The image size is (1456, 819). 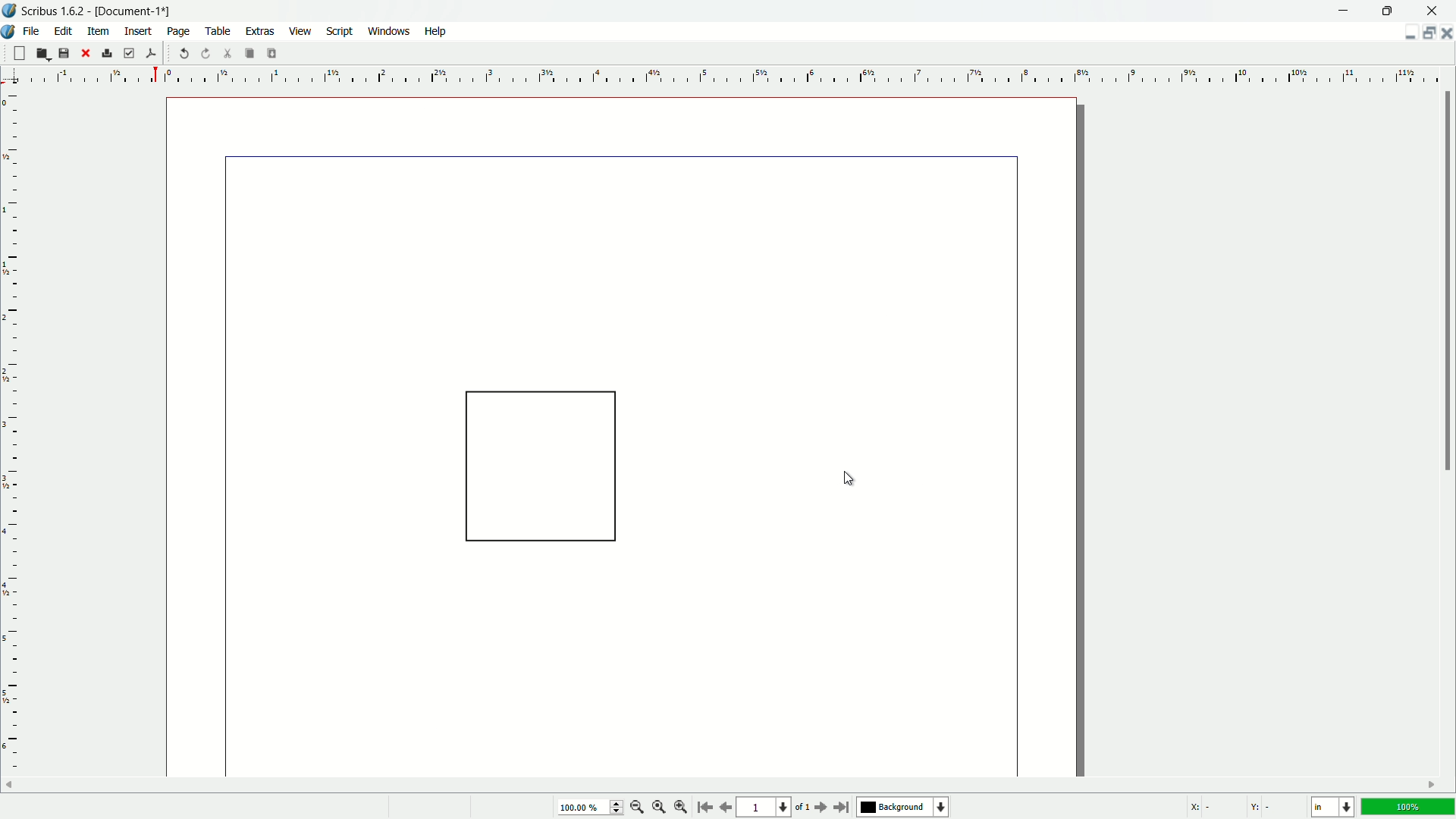 What do you see at coordinates (43, 53) in the screenshot?
I see `open file` at bounding box center [43, 53].